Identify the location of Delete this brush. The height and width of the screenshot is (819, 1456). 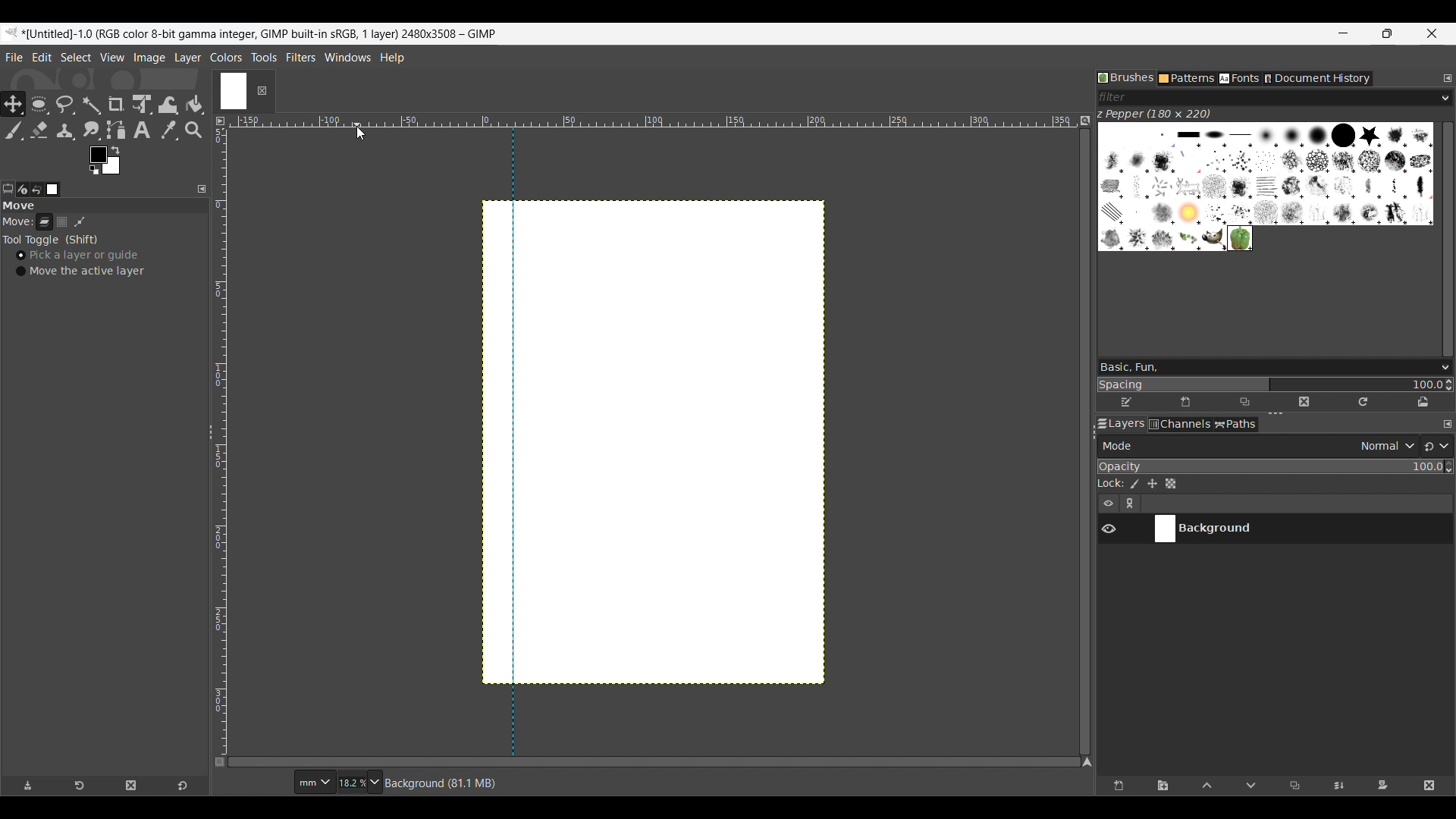
(1304, 403).